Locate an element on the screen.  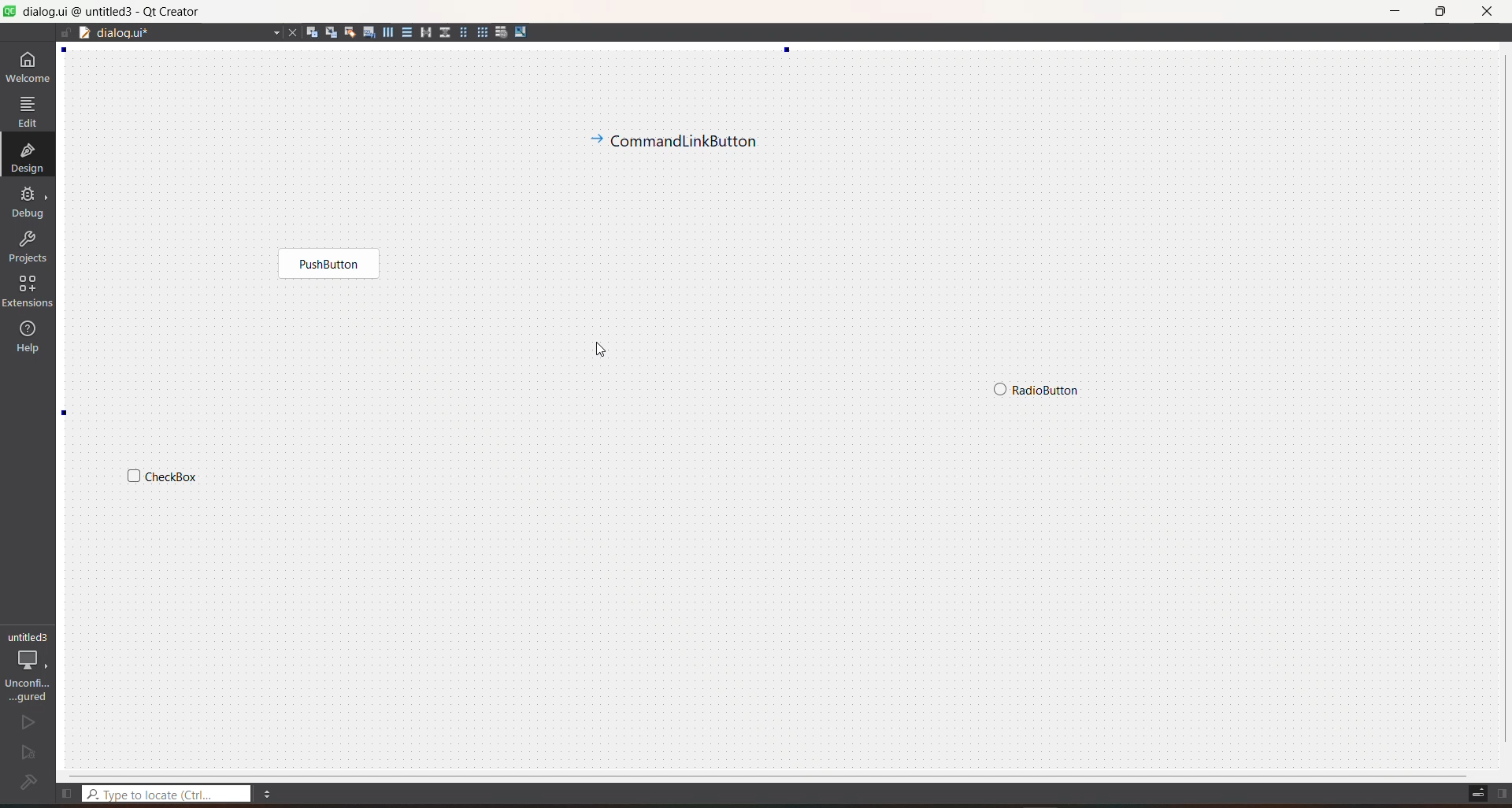
run and debug is located at coordinates (28, 754).